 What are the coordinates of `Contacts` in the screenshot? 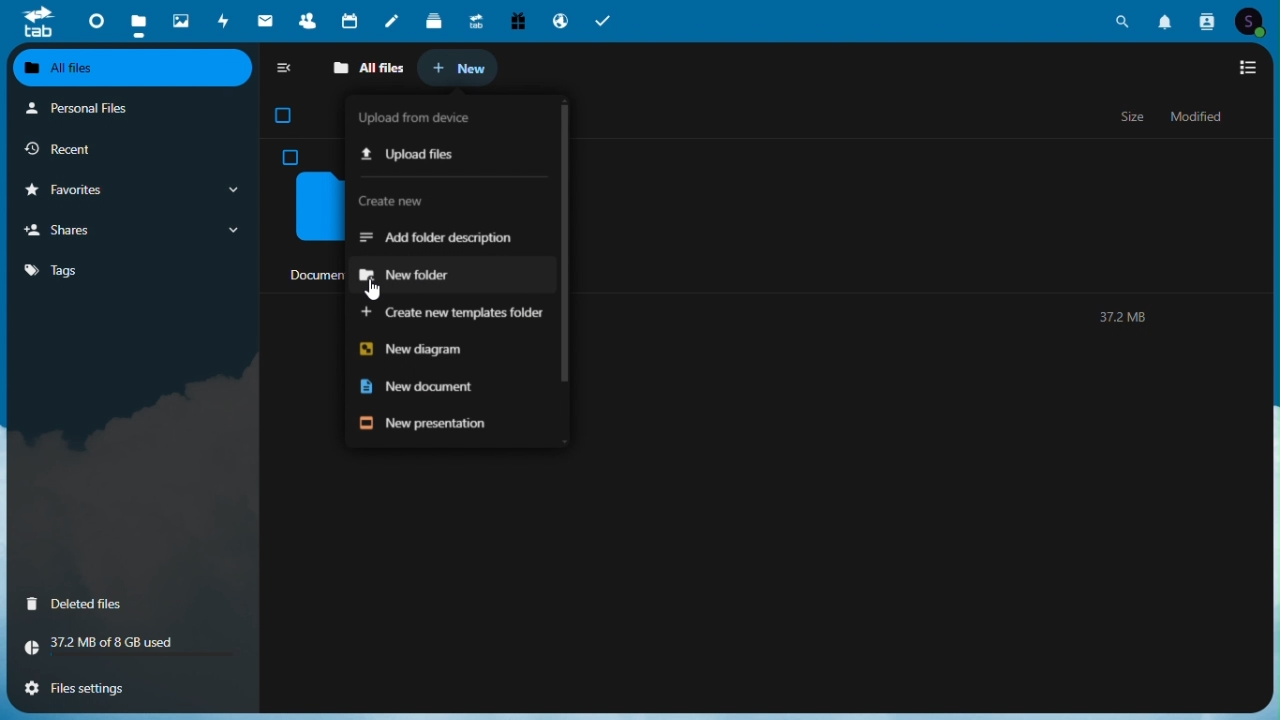 It's located at (1208, 19).